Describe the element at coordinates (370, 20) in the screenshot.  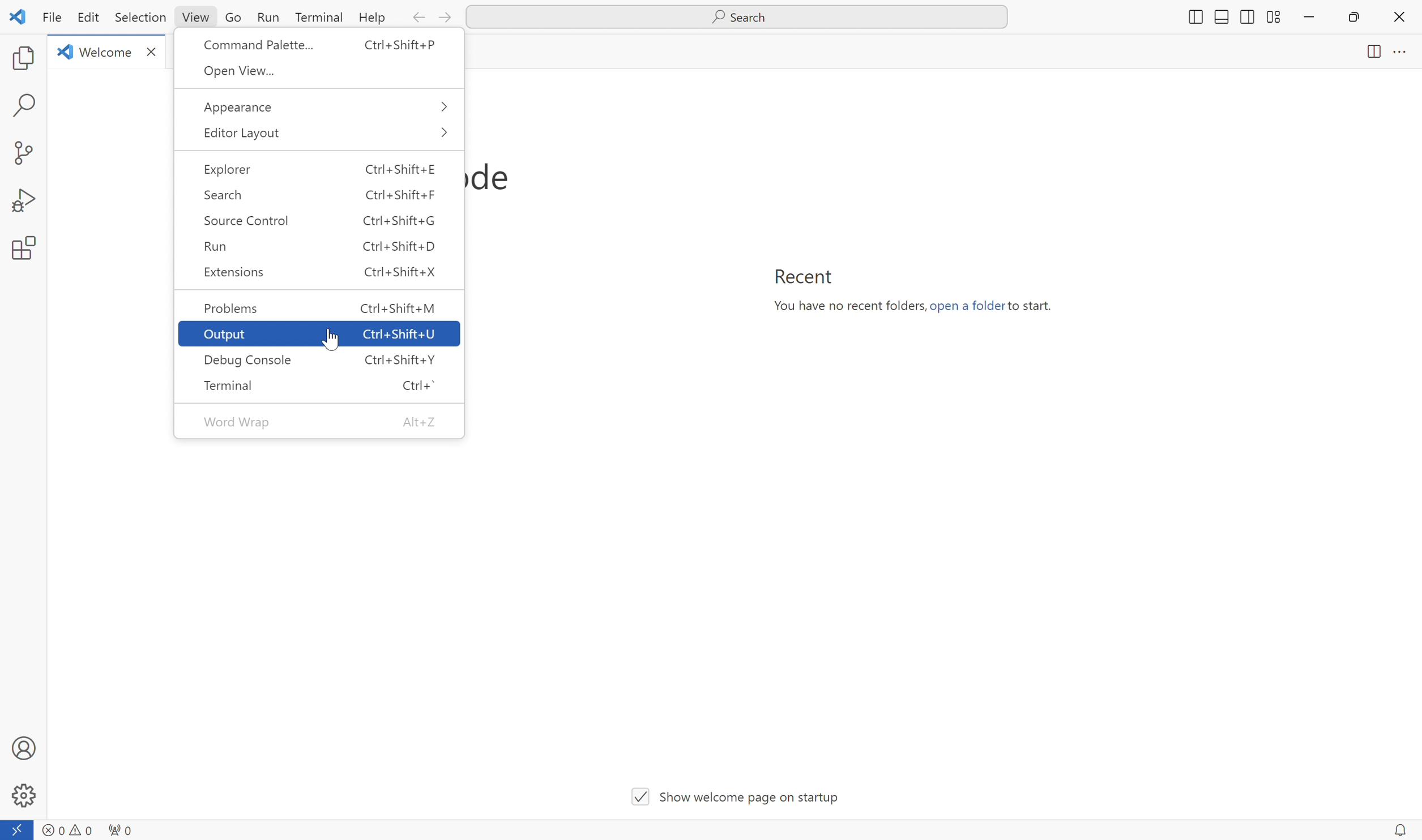
I see `Help` at that location.